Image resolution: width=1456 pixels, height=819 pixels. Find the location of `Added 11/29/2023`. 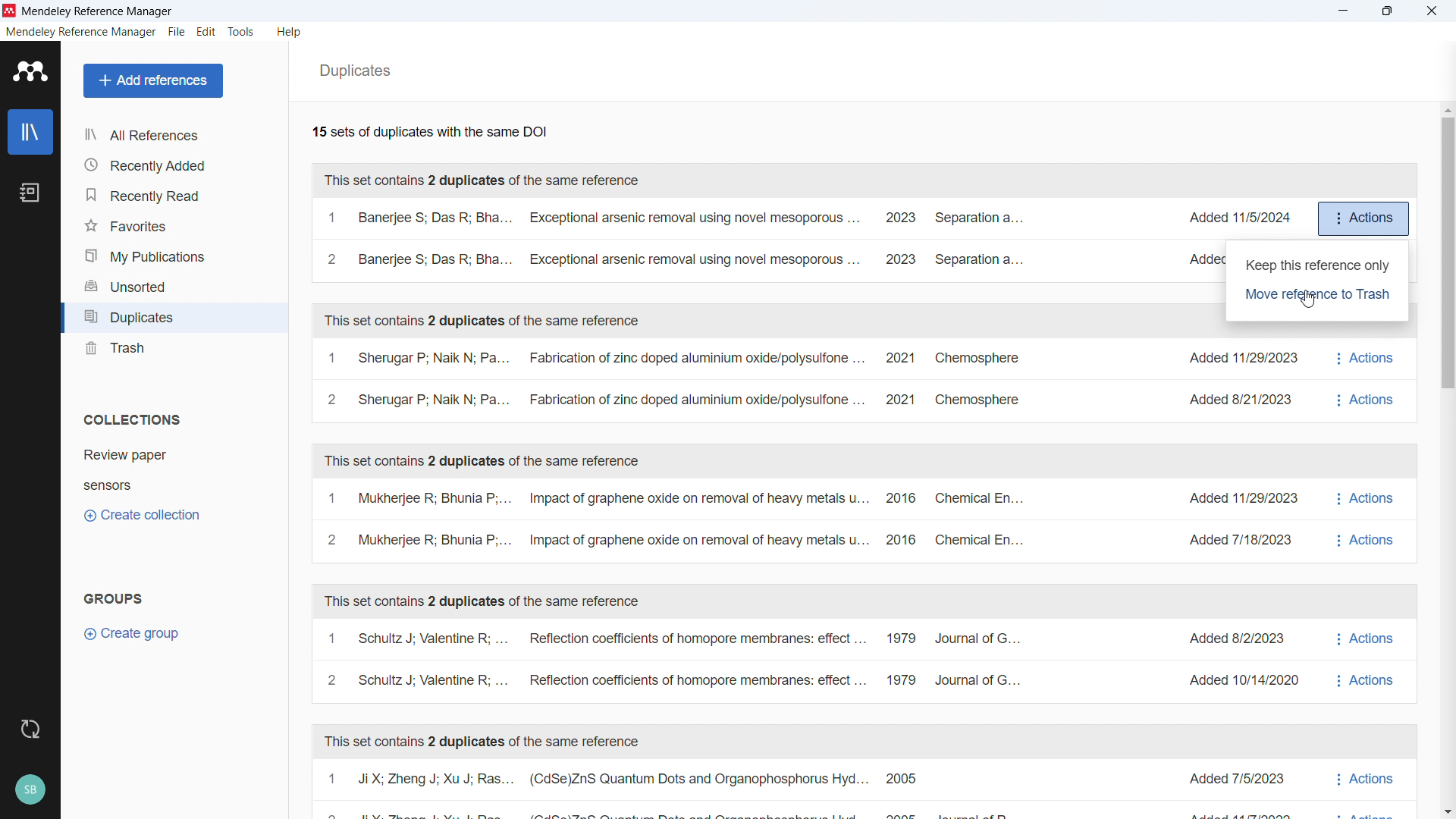

Added 11/29/2023 is located at coordinates (1235, 359).